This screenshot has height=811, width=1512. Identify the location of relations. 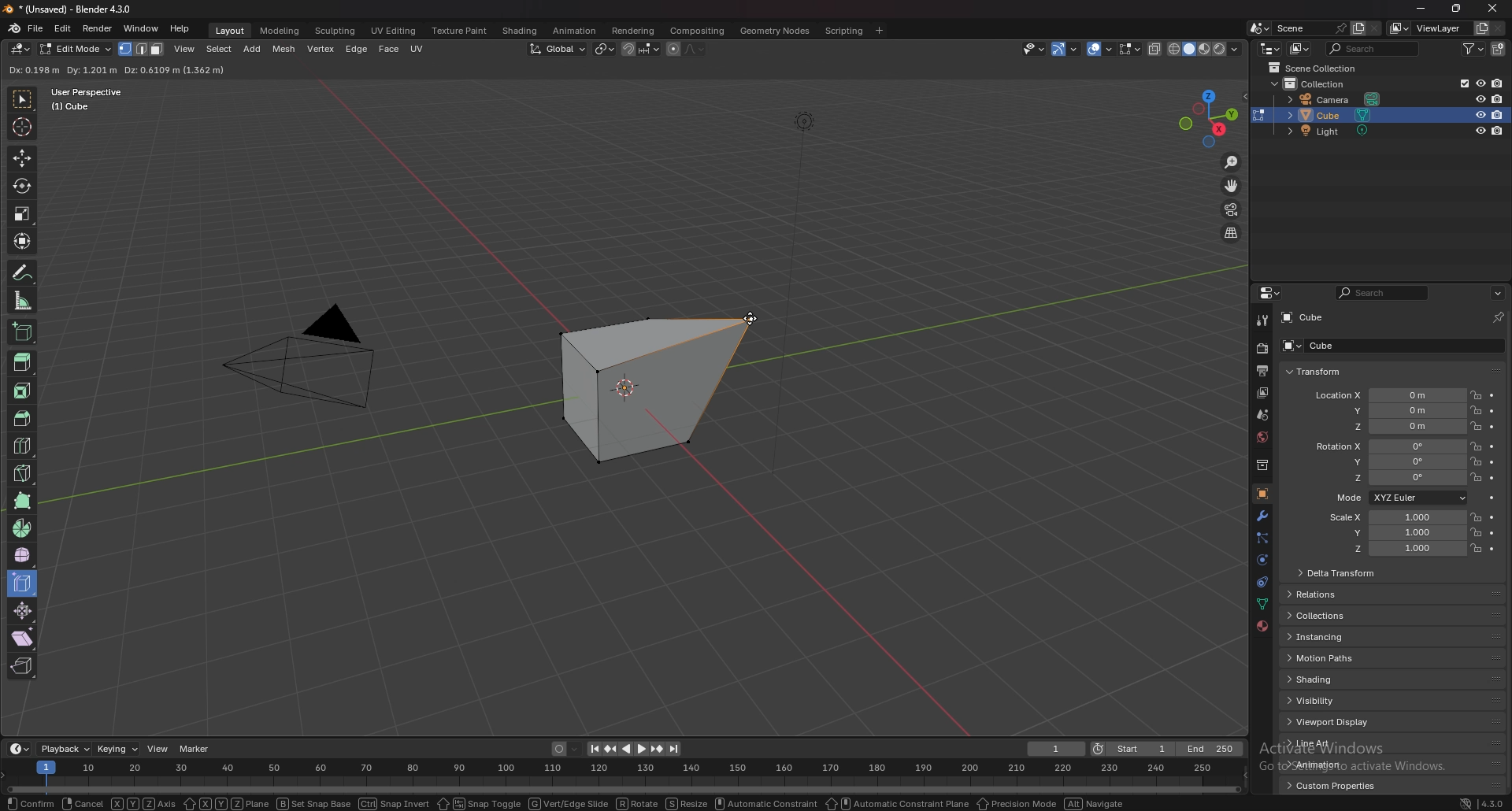
(1325, 595).